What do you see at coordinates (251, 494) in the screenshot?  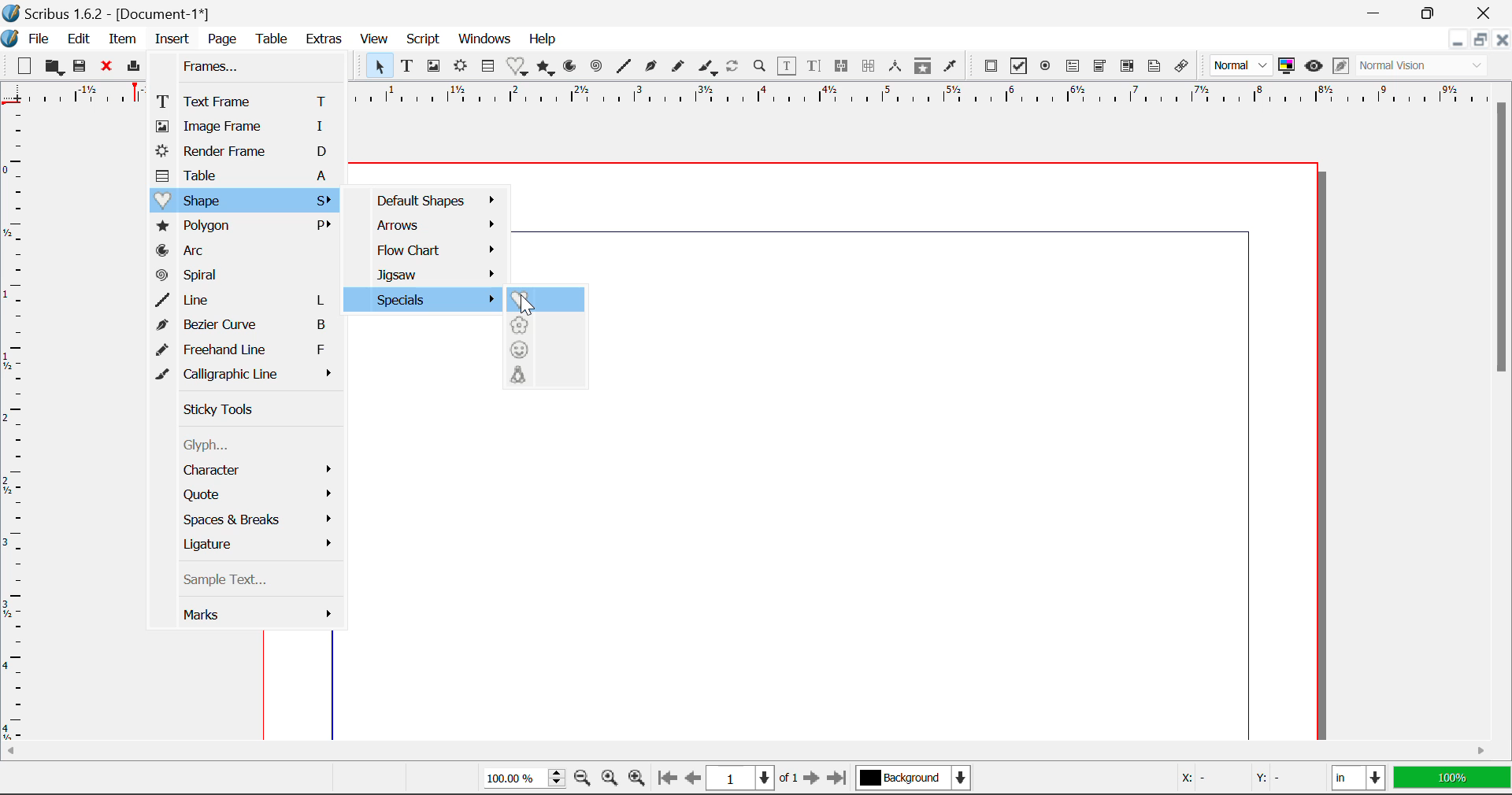 I see `Quote` at bounding box center [251, 494].